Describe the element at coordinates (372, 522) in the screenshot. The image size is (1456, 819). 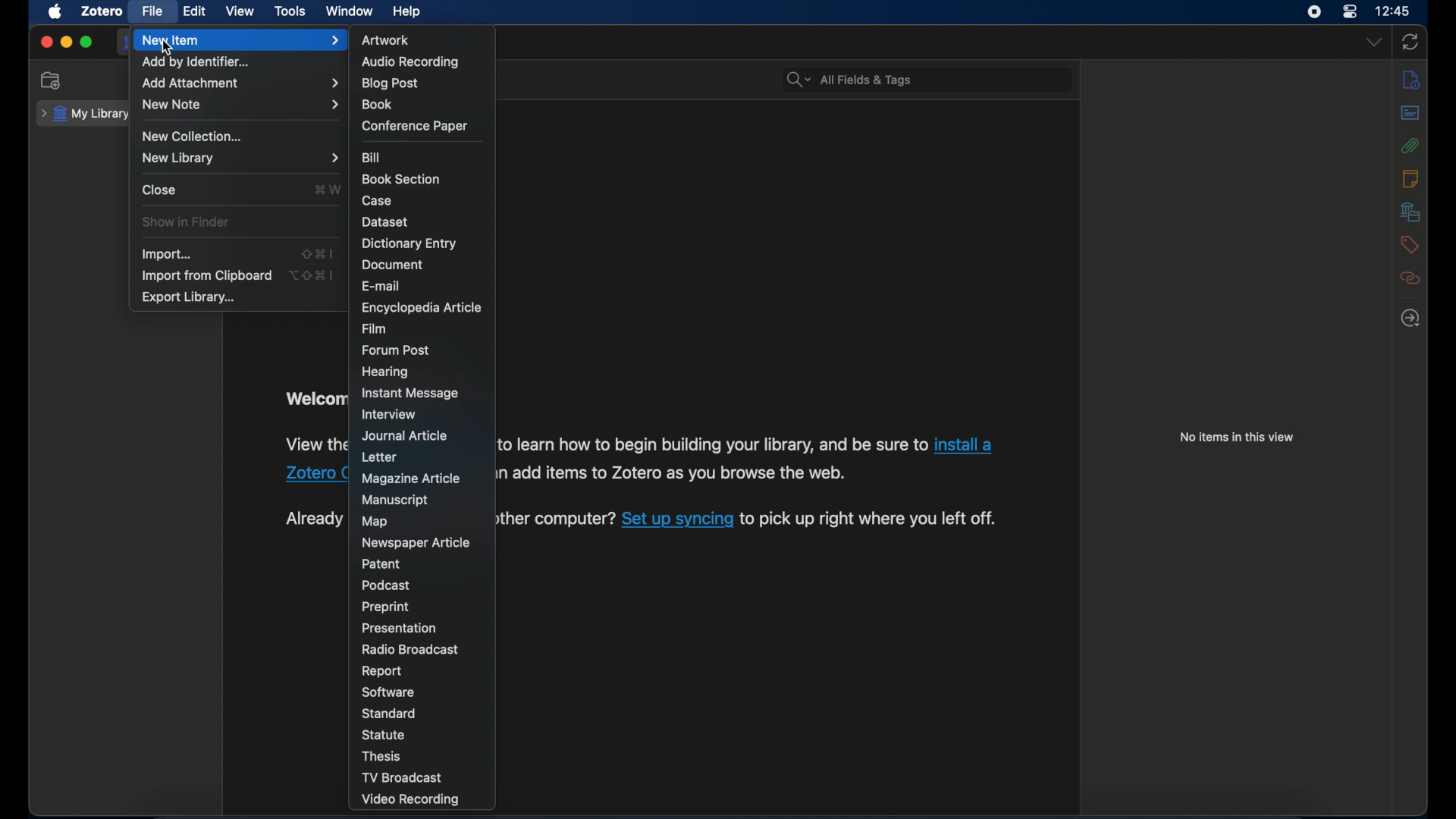
I see `map` at that location.